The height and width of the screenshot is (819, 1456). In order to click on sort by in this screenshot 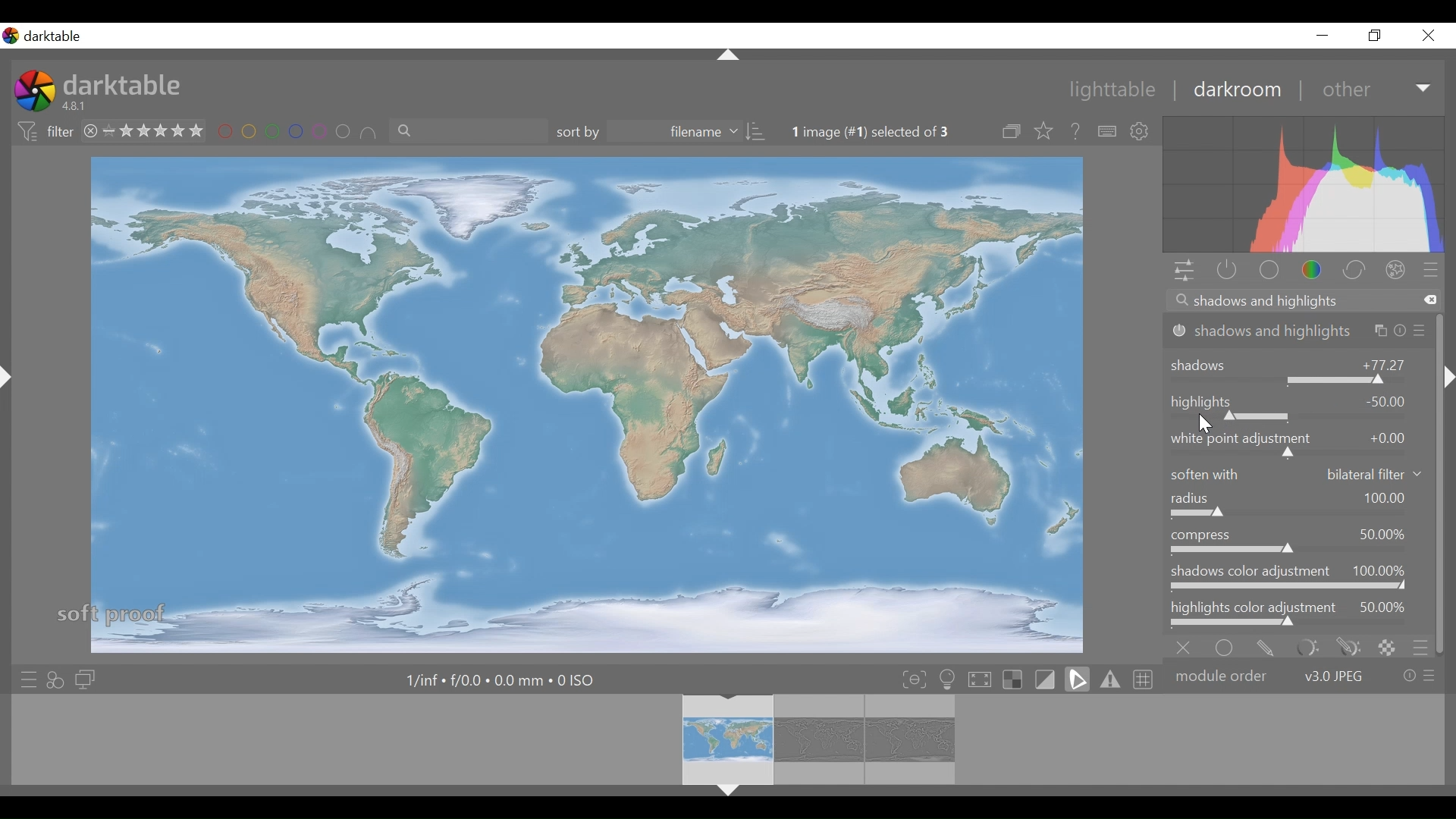, I will do `click(661, 133)`.